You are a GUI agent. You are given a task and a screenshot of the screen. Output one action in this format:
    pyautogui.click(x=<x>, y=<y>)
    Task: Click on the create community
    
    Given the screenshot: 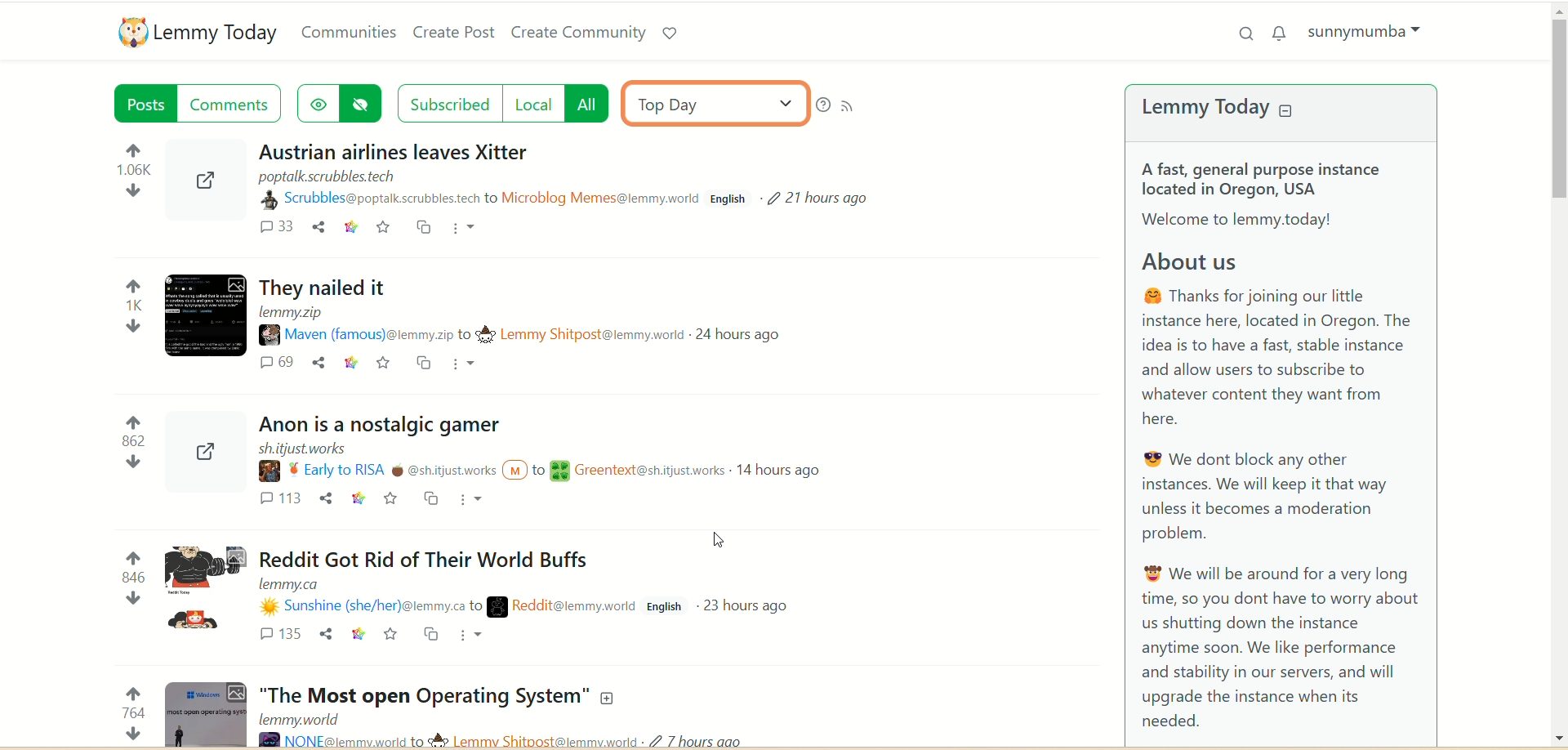 What is the action you would take?
    pyautogui.click(x=579, y=33)
    